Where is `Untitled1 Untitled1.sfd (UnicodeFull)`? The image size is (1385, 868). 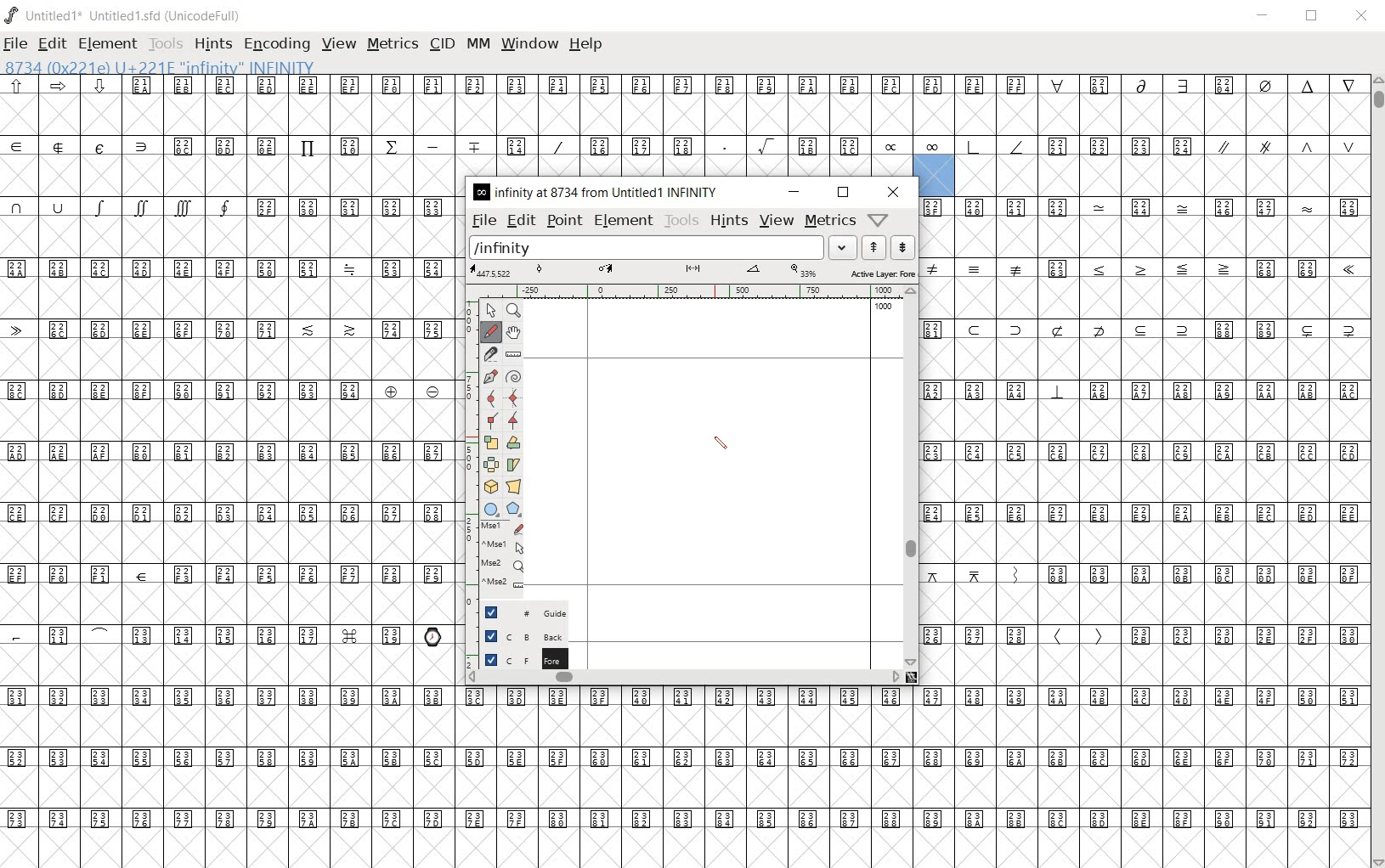
Untitled1 Untitled1.sfd (UnicodeFull) is located at coordinates (128, 20).